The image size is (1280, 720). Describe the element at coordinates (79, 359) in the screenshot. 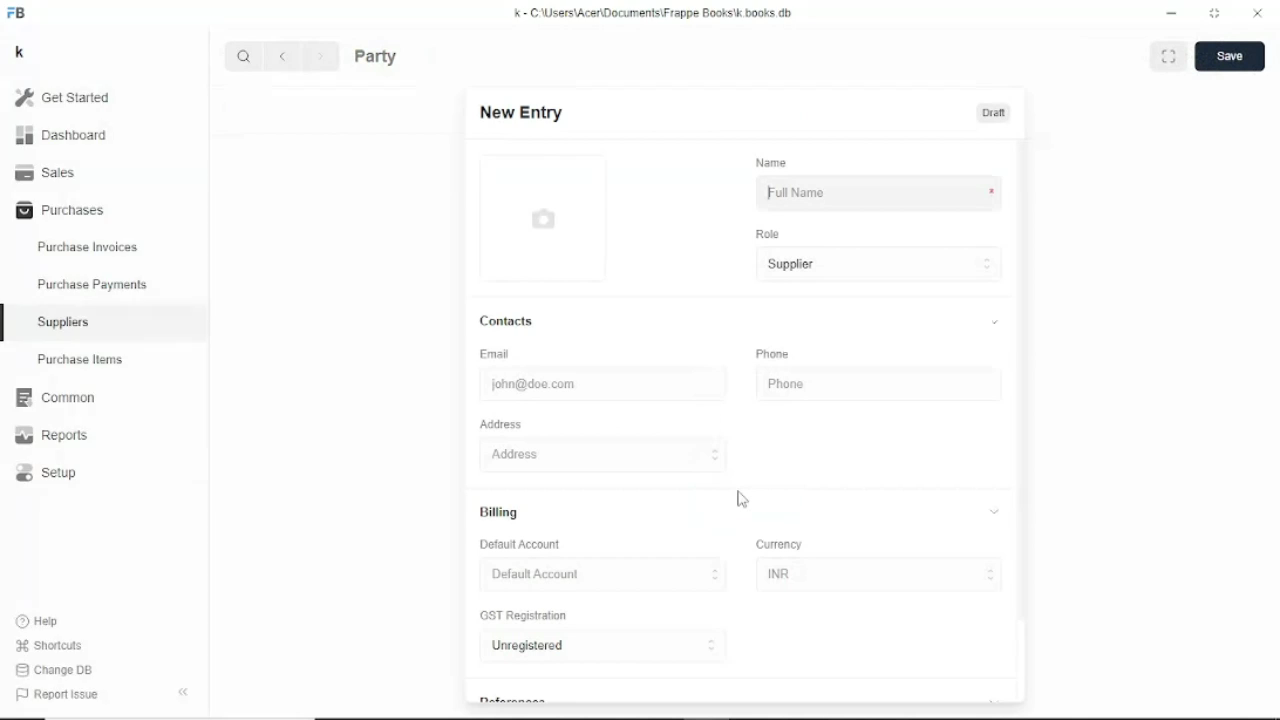

I see `Purchase items` at that location.